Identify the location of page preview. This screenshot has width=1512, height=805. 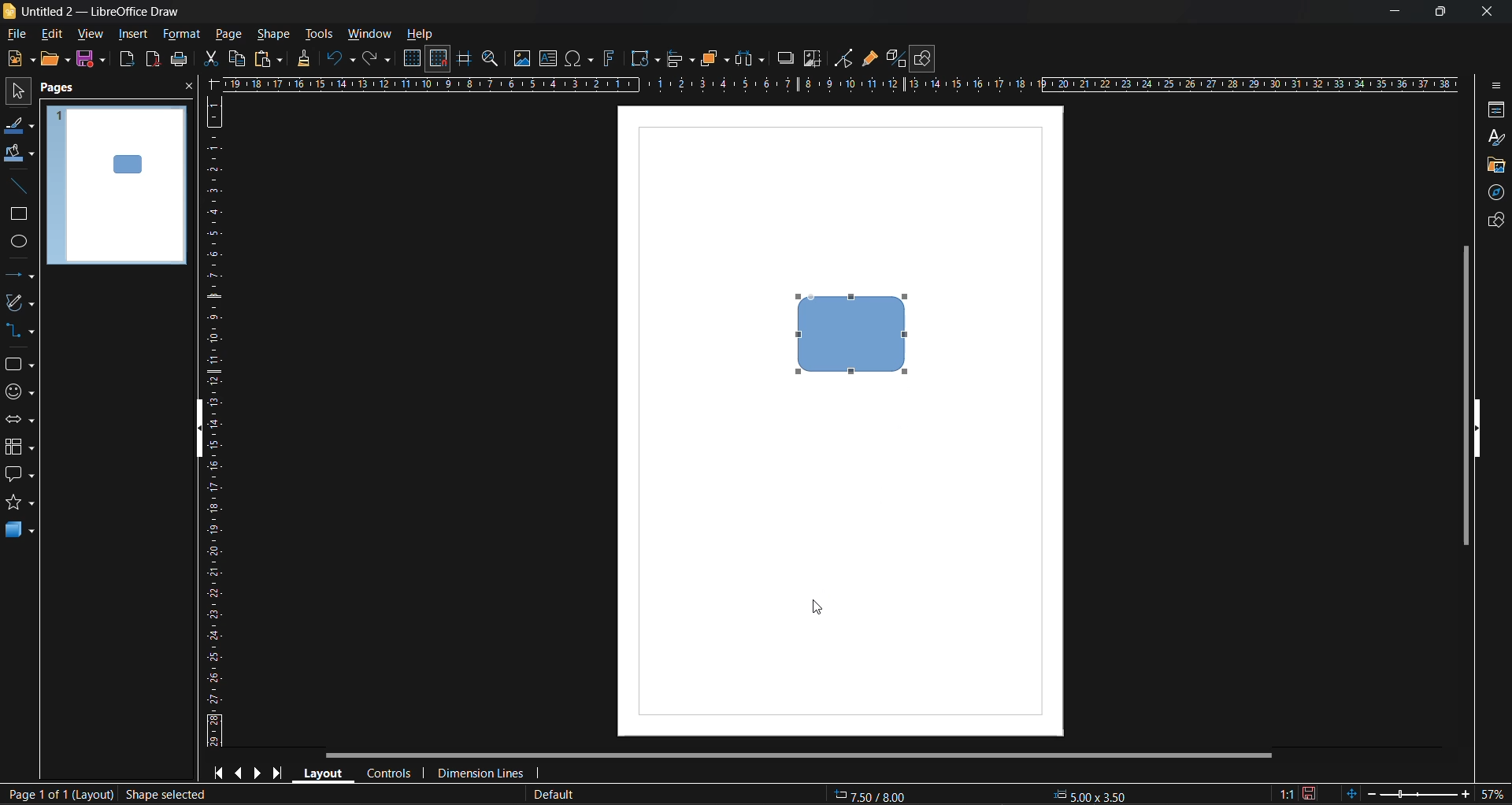
(117, 185).